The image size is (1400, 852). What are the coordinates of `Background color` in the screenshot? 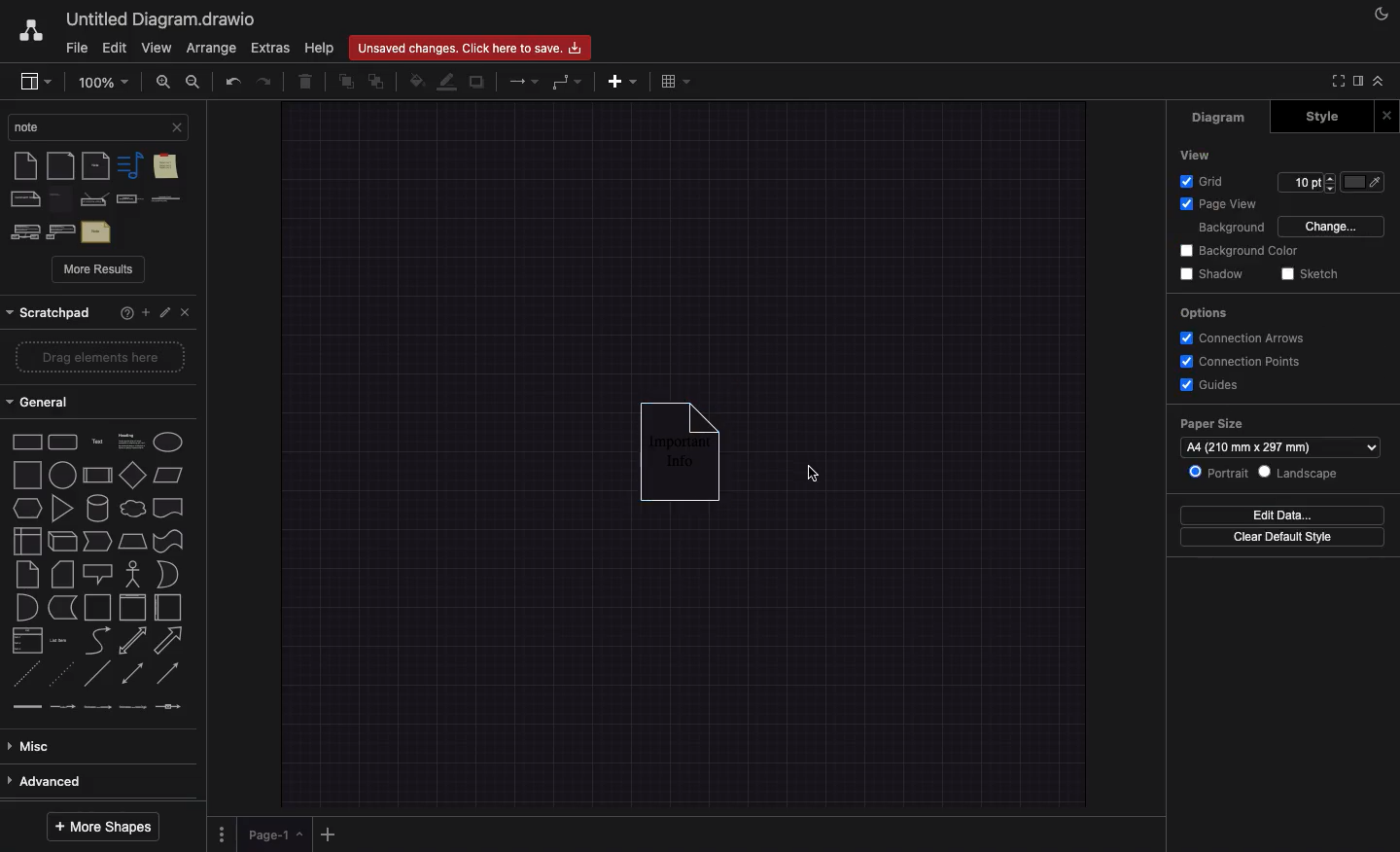 It's located at (1244, 252).